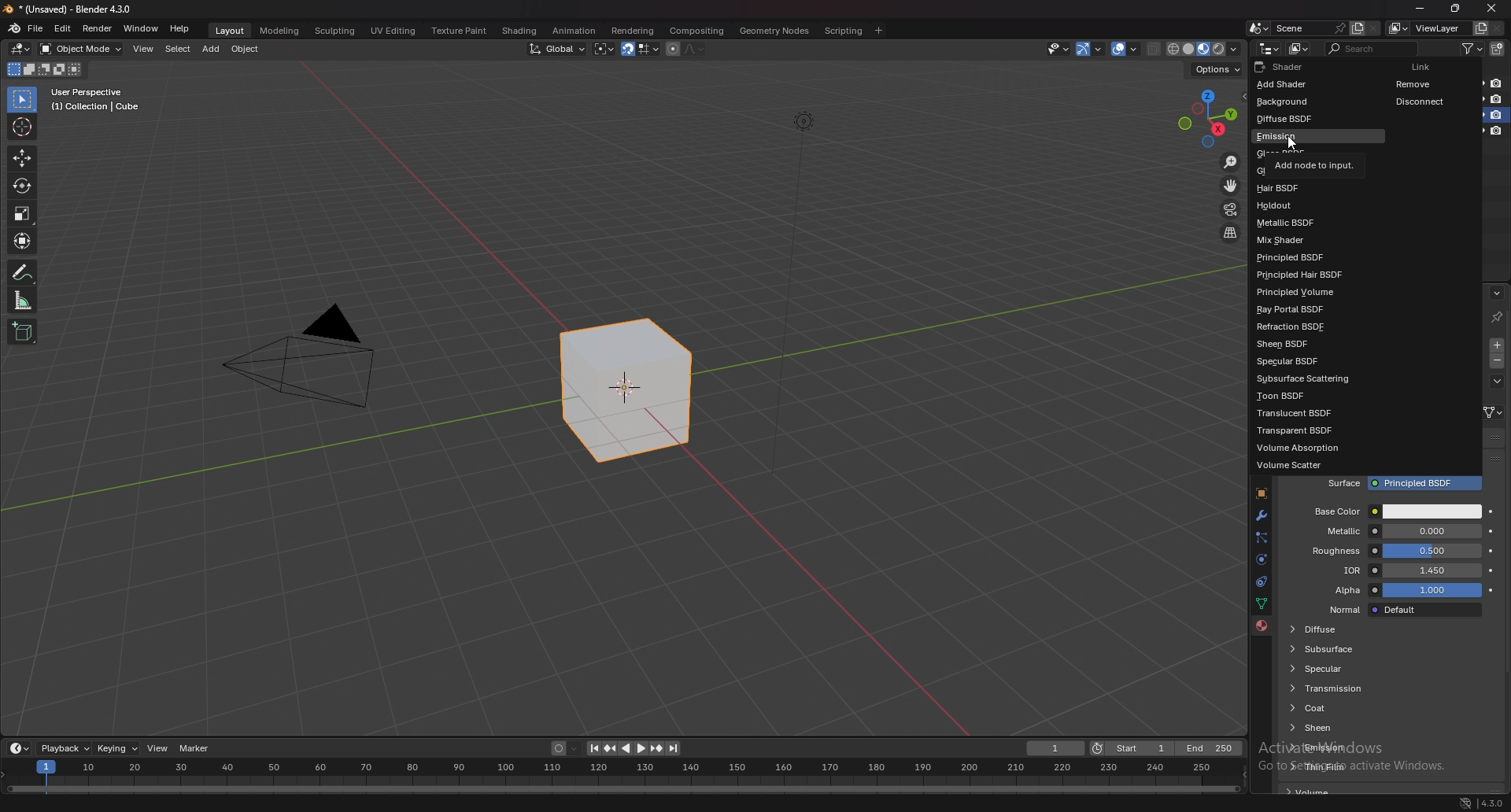  What do you see at coordinates (248, 49) in the screenshot?
I see `object` at bounding box center [248, 49].